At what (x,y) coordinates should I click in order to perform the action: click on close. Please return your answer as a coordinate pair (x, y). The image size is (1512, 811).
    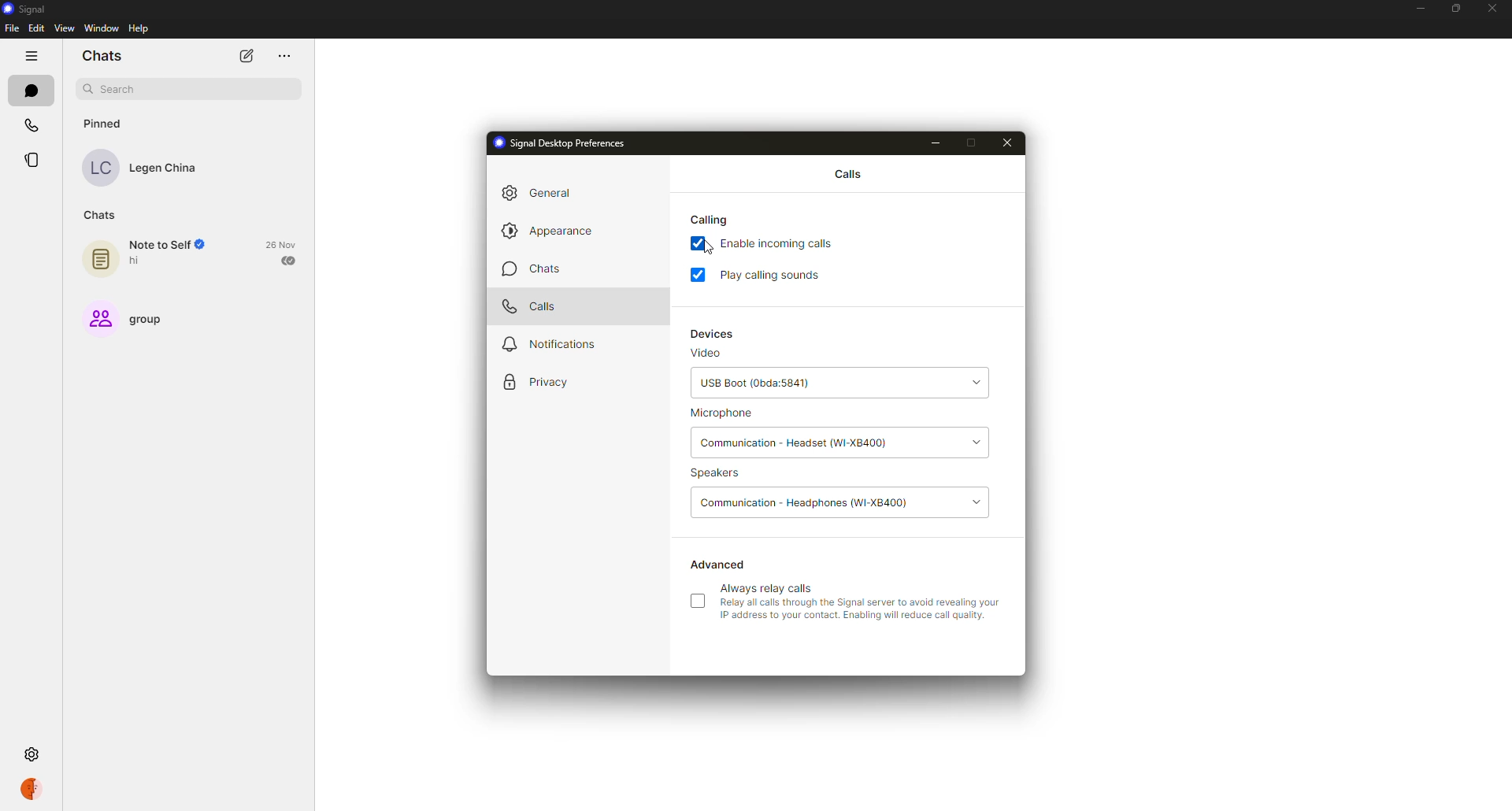
    Looking at the image, I should click on (1494, 9).